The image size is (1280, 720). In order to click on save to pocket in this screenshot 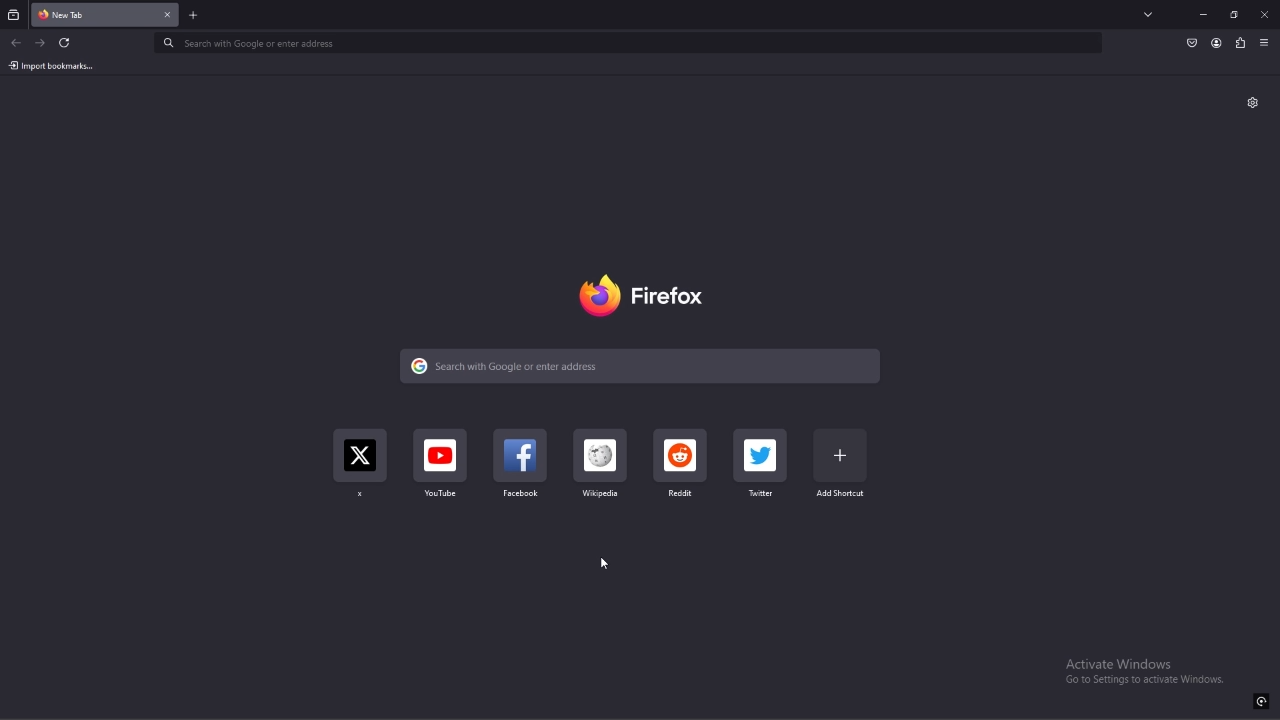, I will do `click(1191, 43)`.